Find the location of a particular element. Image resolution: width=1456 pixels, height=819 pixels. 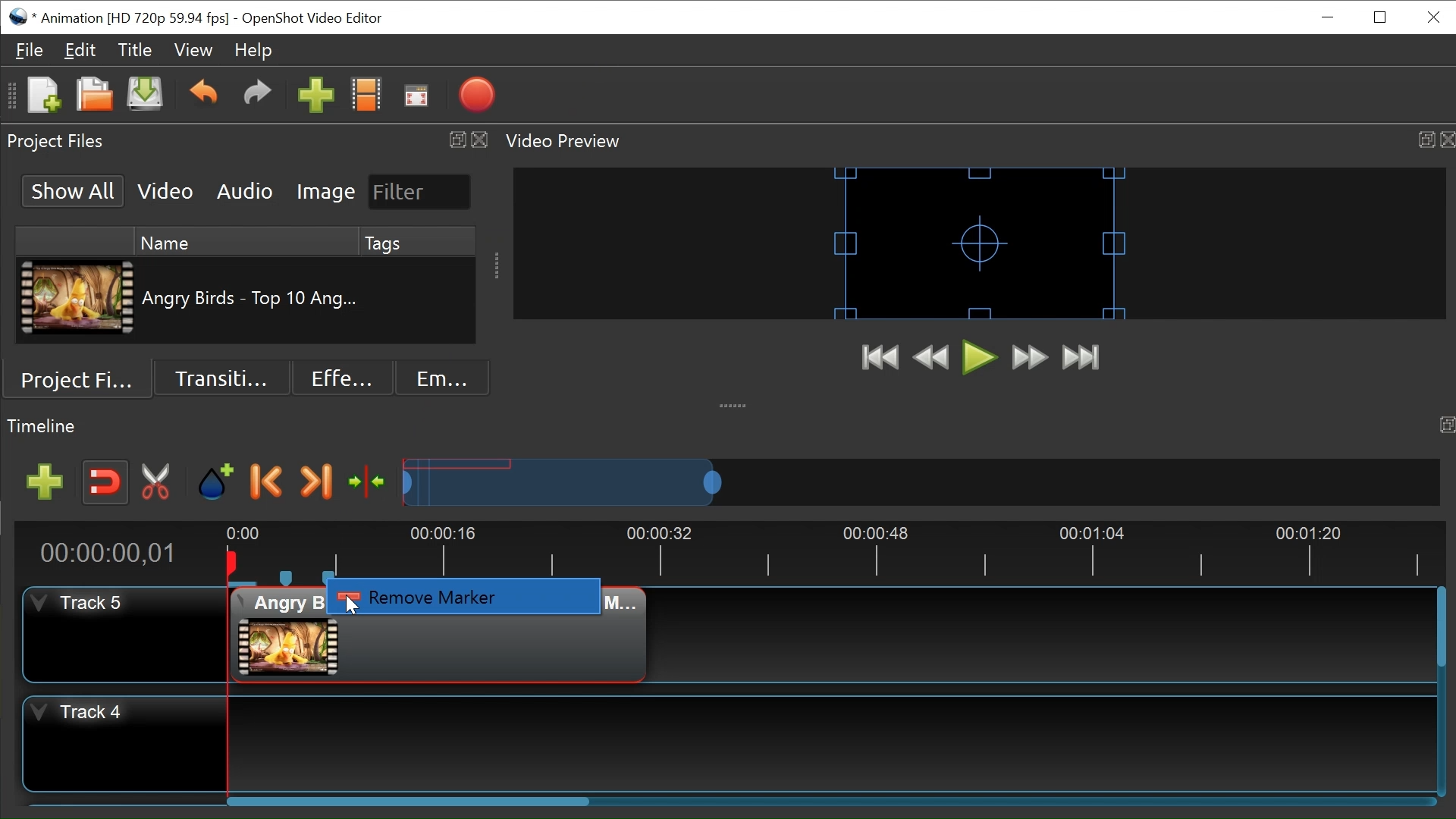

Title is located at coordinates (136, 50).